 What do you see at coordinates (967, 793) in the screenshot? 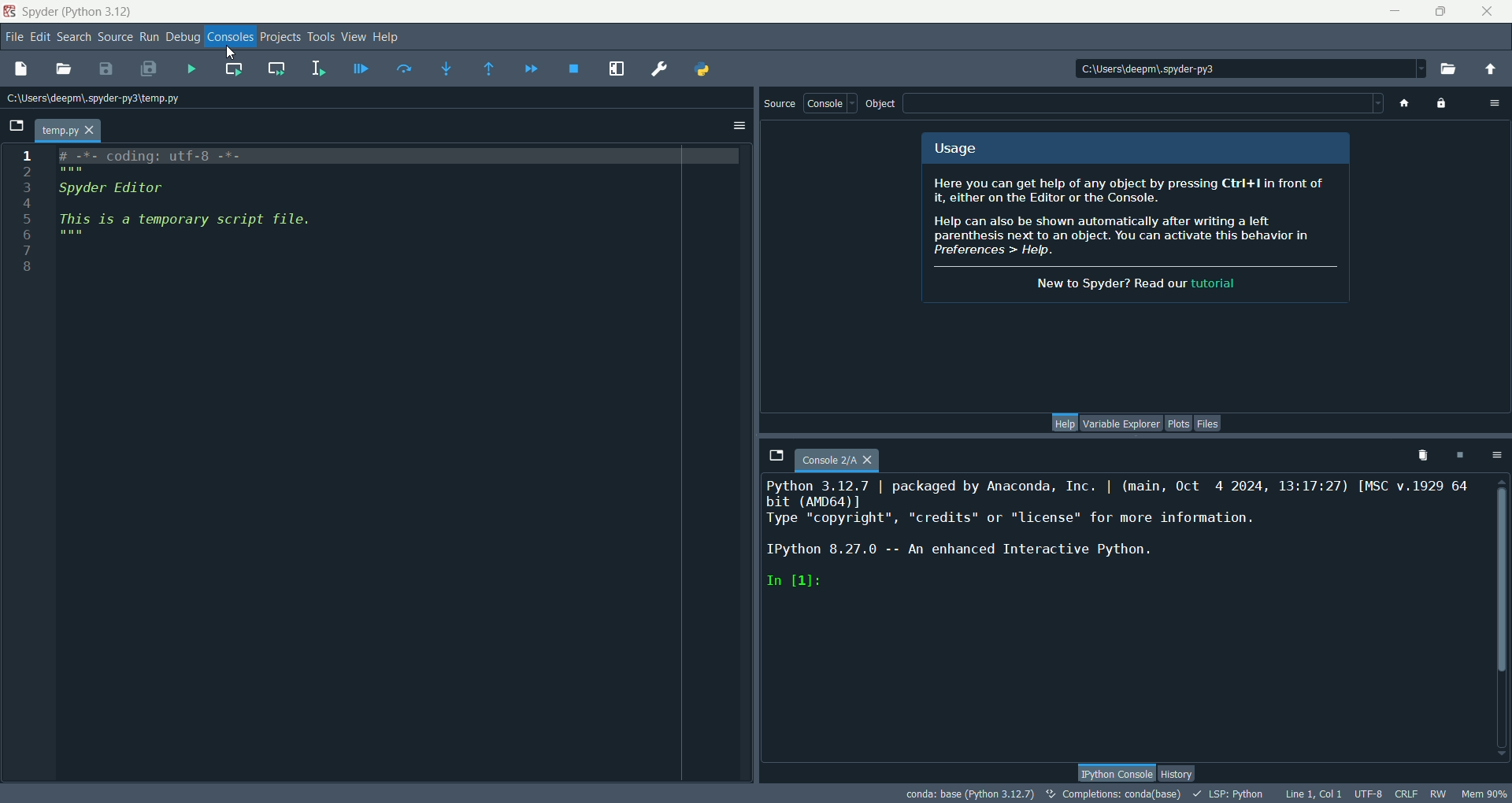
I see `Conda:base` at bounding box center [967, 793].